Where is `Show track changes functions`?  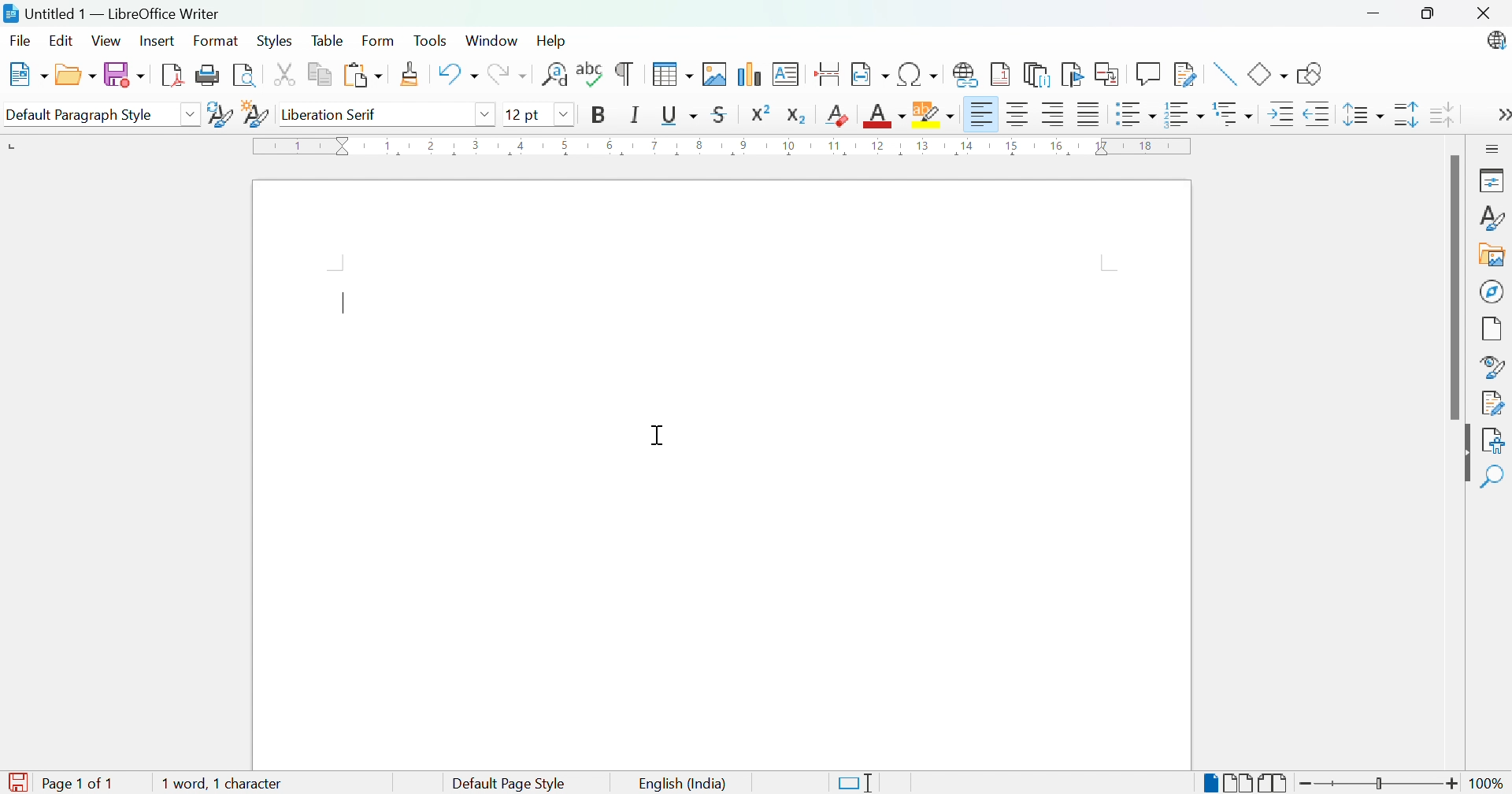
Show track changes functions is located at coordinates (1182, 72).